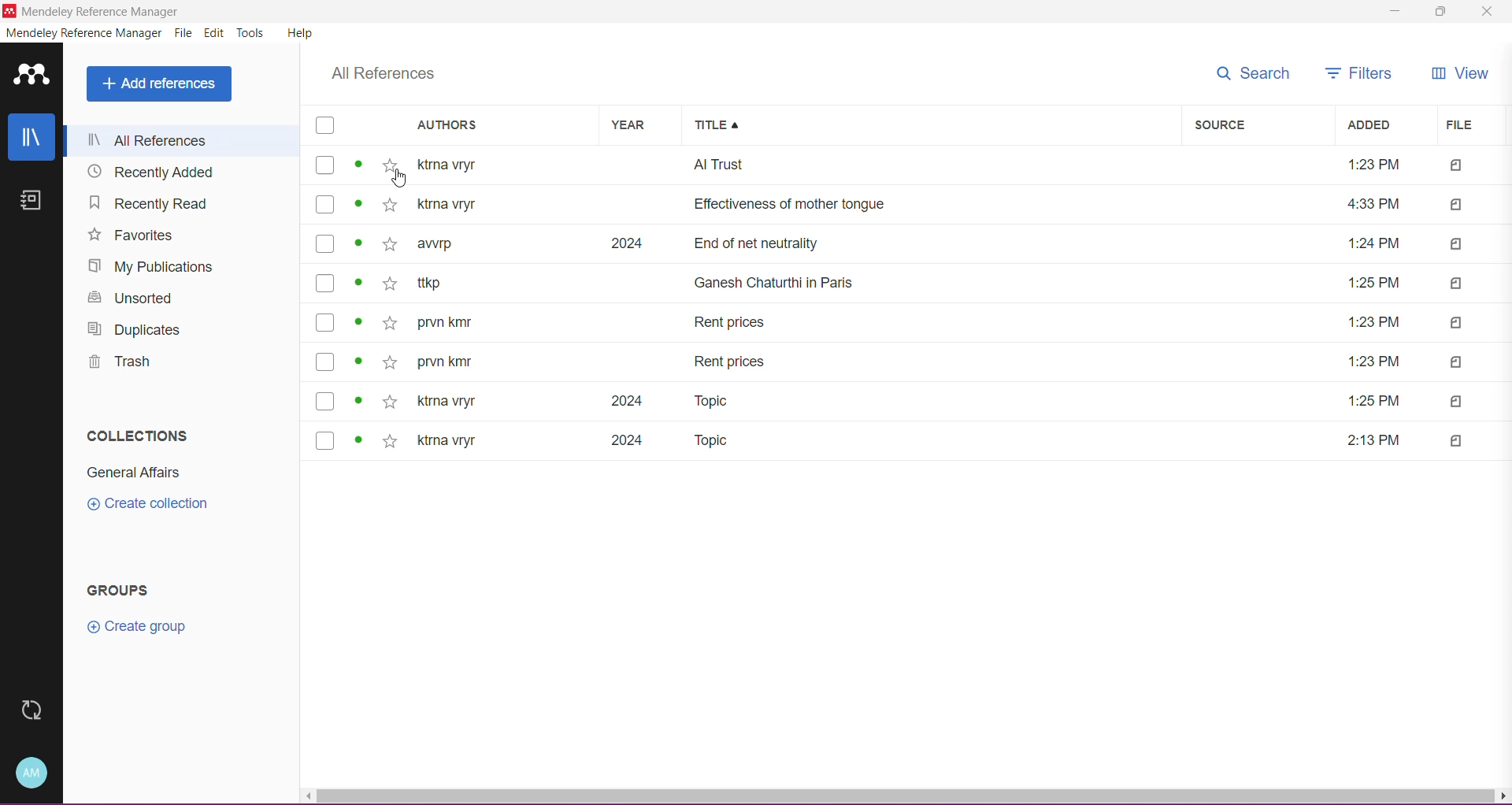 The width and height of the screenshot is (1512, 805). What do you see at coordinates (390, 205) in the screenshot?
I see `Add to favorite` at bounding box center [390, 205].